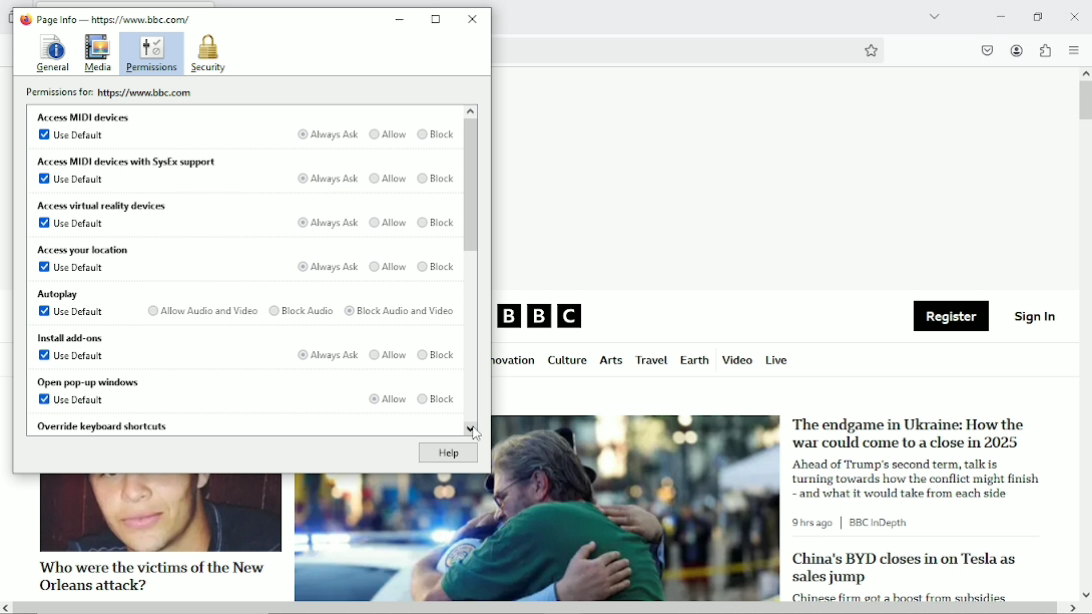 The width and height of the screenshot is (1092, 614). What do you see at coordinates (387, 400) in the screenshot?
I see `Allow` at bounding box center [387, 400].